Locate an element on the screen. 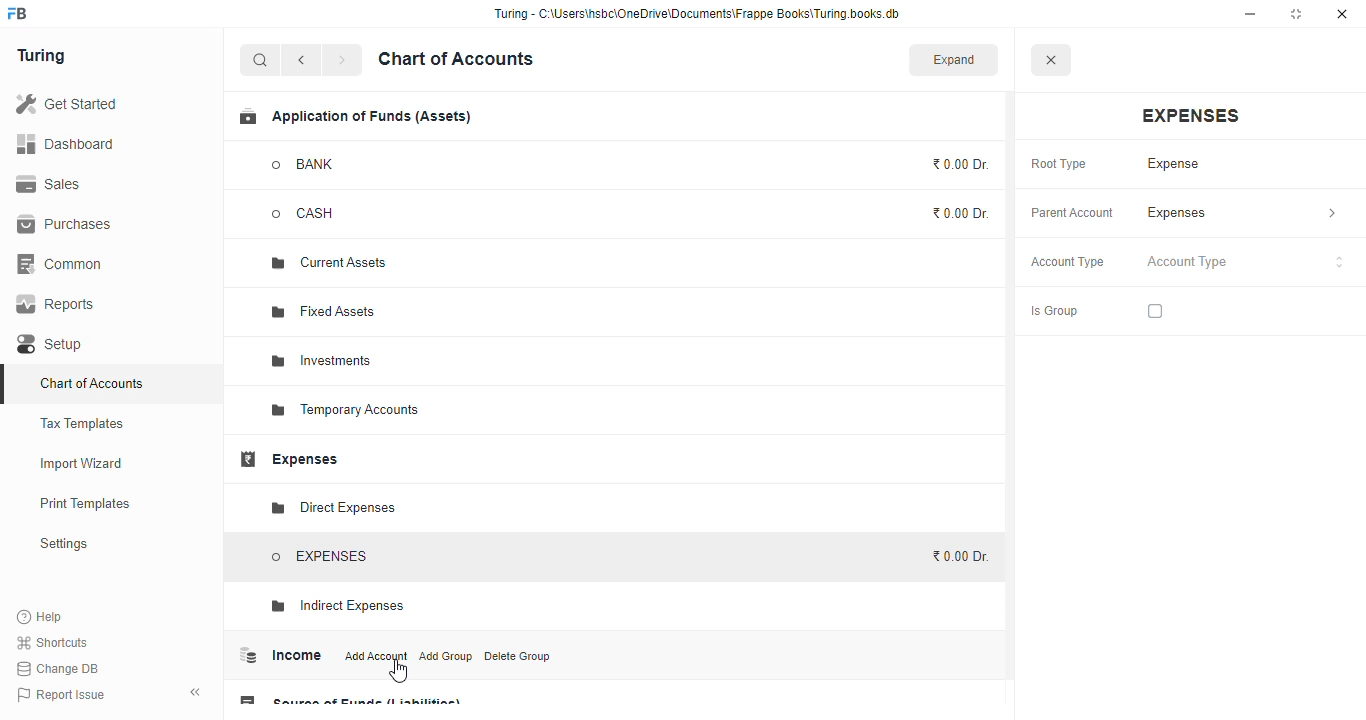 The image size is (1366, 720). source of funds (liabilities) is located at coordinates (349, 696).